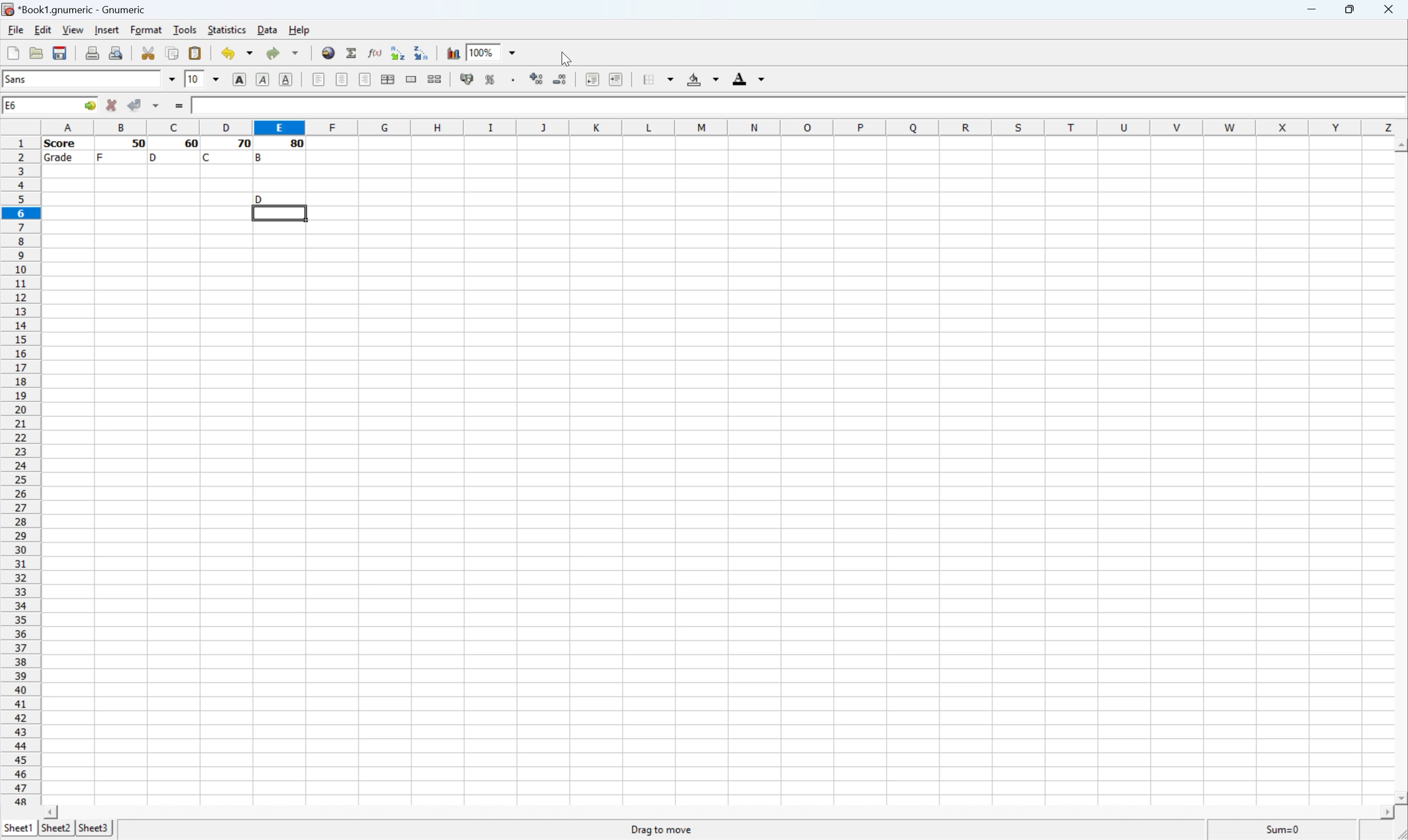 This screenshot has height=840, width=1408. What do you see at coordinates (352, 54) in the screenshot?
I see `Sum into the current cell` at bounding box center [352, 54].